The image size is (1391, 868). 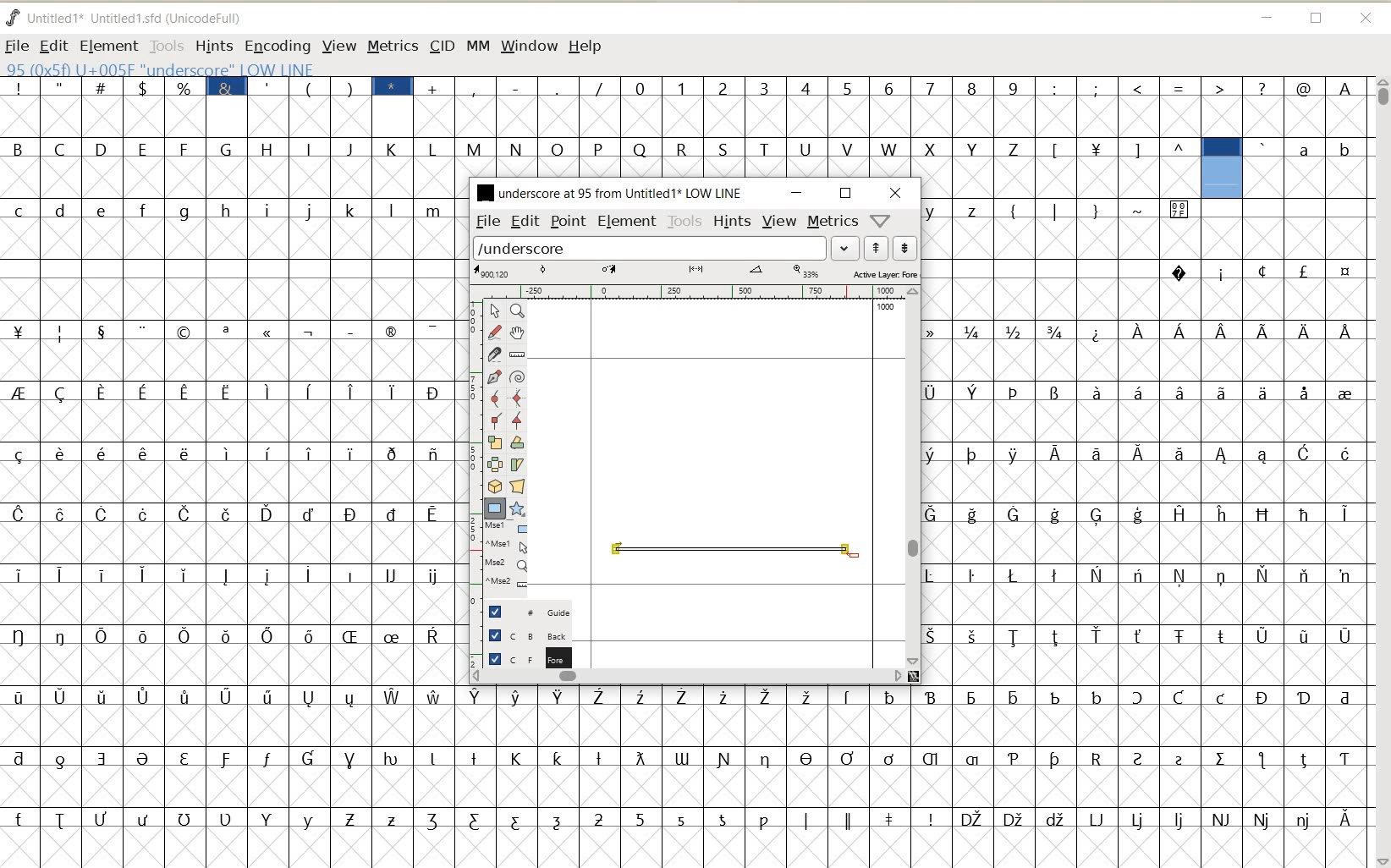 I want to click on CLOSE, so click(x=1367, y=19).